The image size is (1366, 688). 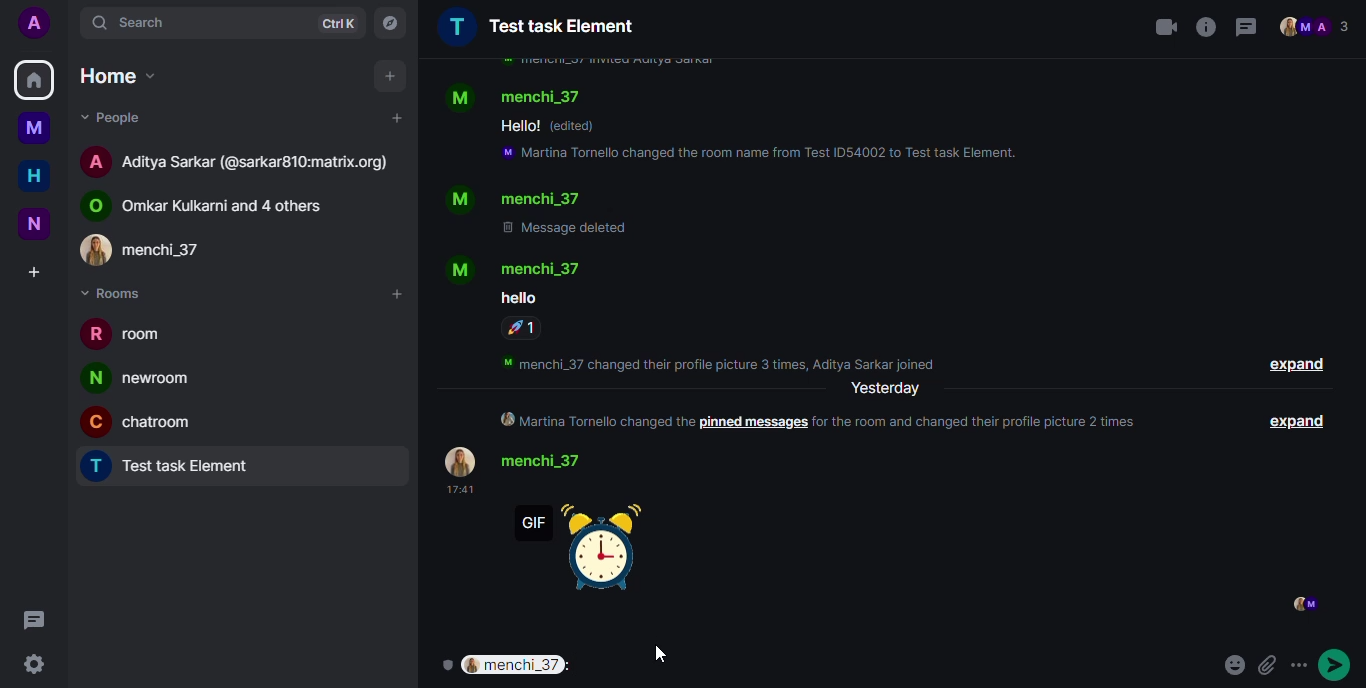 What do you see at coordinates (34, 81) in the screenshot?
I see `home` at bounding box center [34, 81].